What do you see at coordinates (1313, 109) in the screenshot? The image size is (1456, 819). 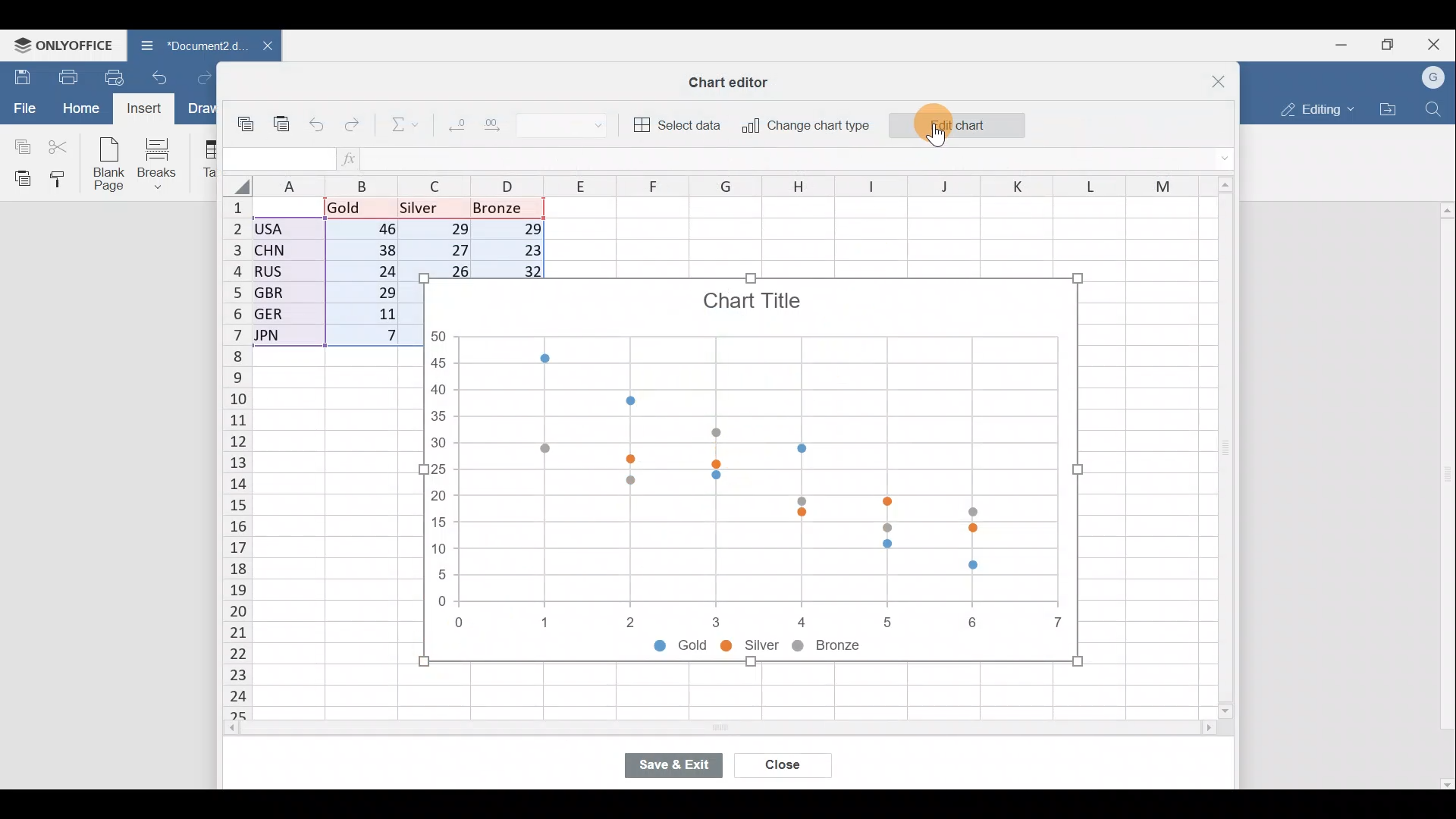 I see `Editing mode` at bounding box center [1313, 109].